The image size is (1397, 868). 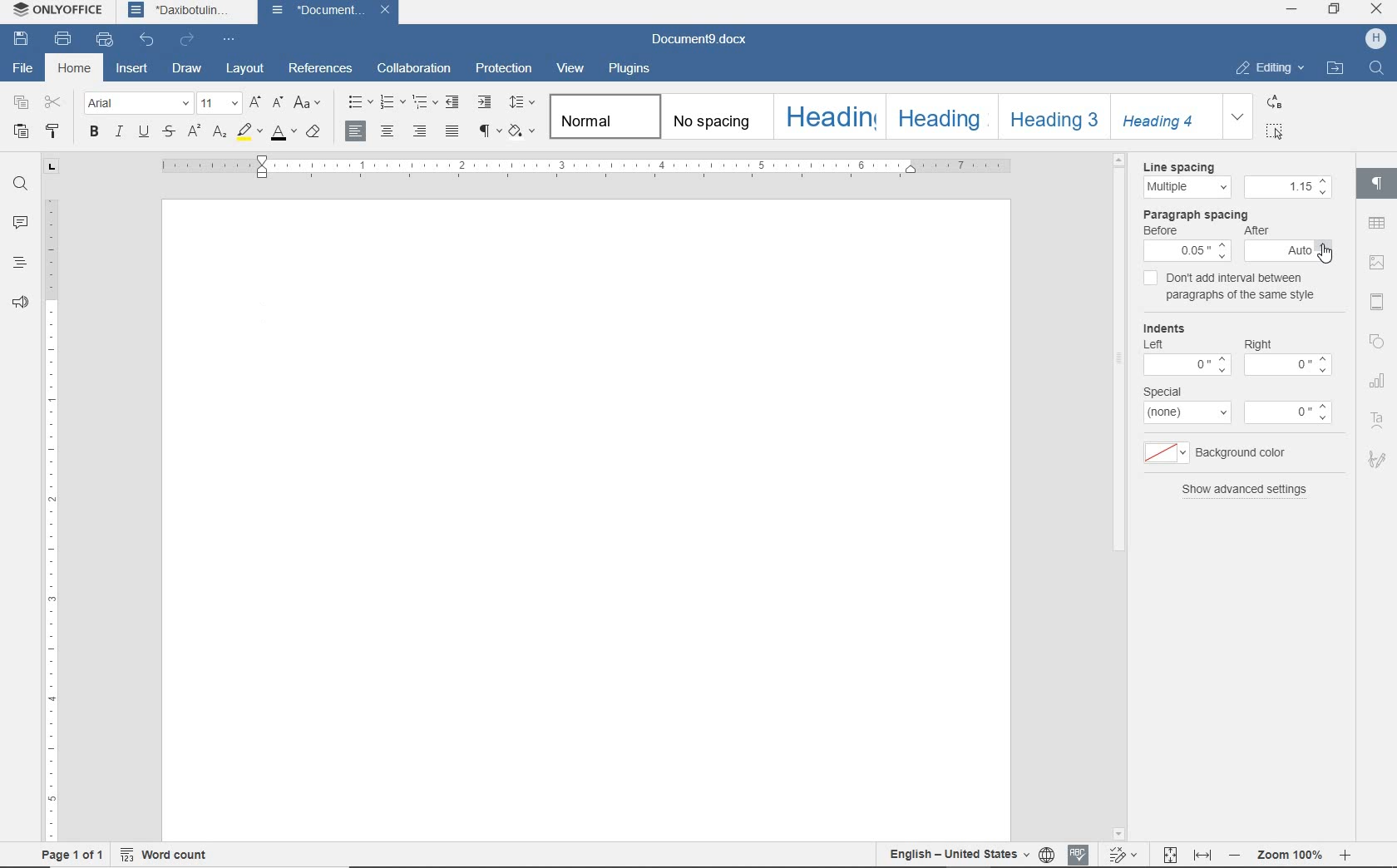 I want to click on word count, so click(x=163, y=854).